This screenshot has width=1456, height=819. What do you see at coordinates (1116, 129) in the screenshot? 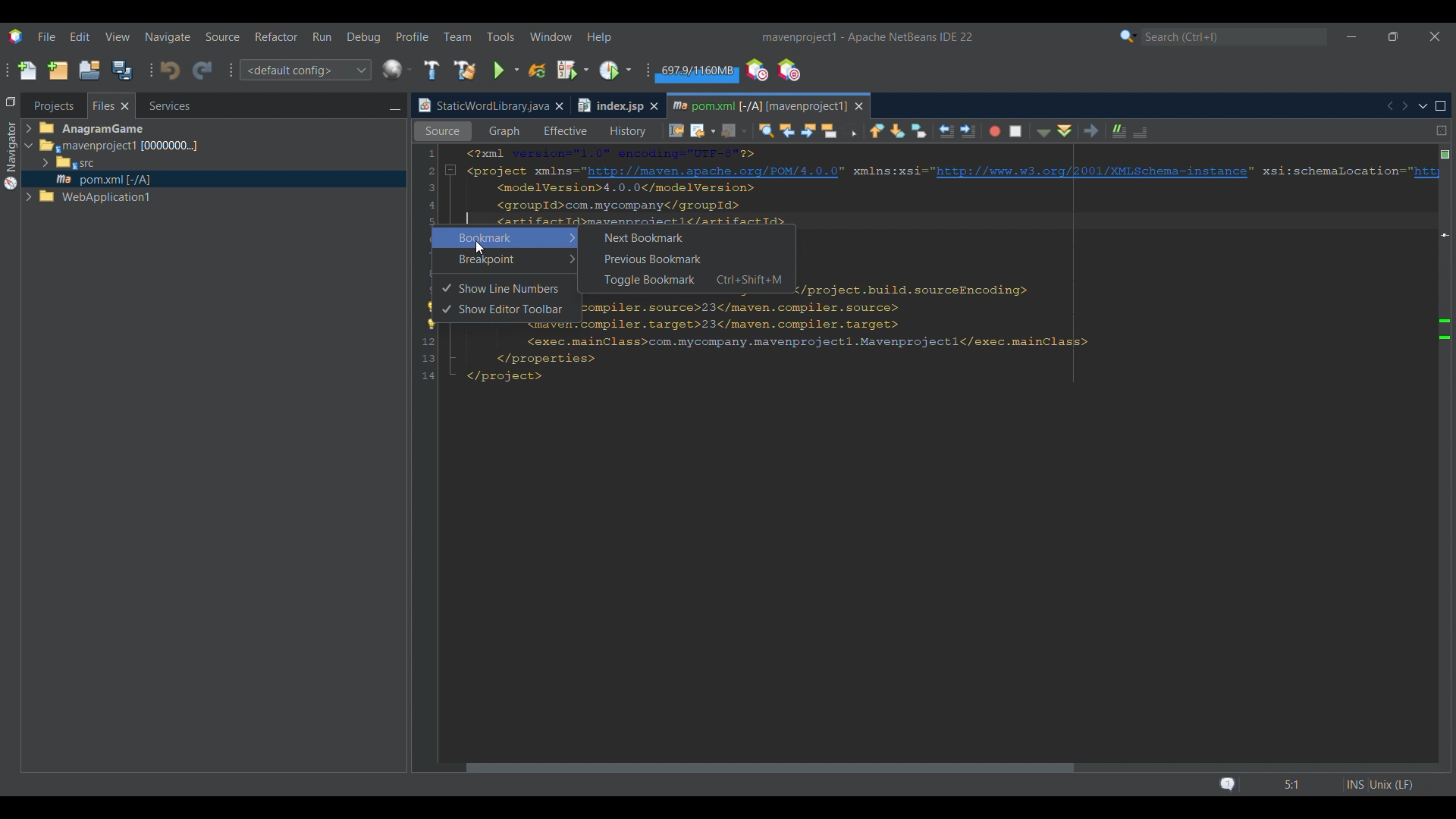
I see `Comment` at bounding box center [1116, 129].